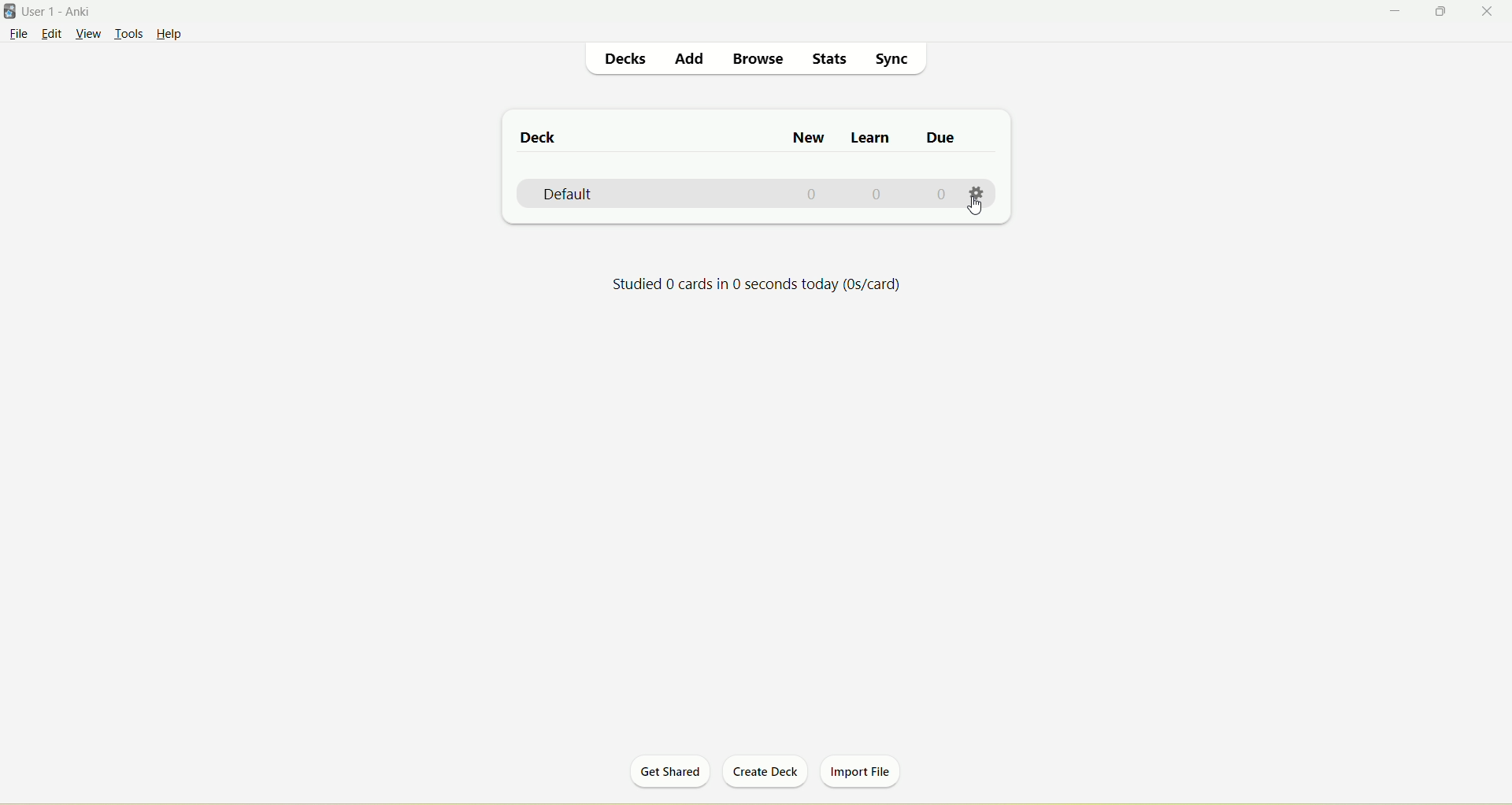 This screenshot has width=1512, height=805. I want to click on due, so click(939, 137).